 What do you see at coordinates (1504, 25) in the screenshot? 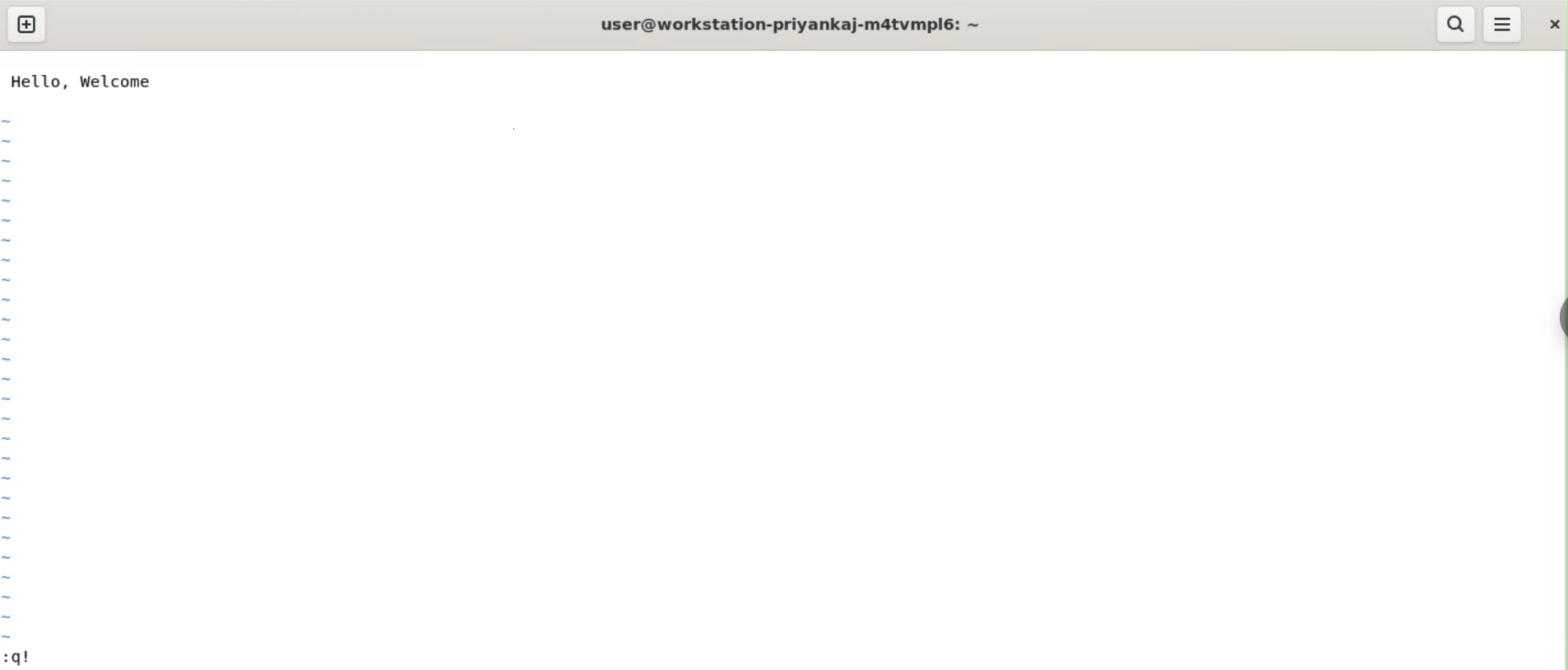
I see `menu` at bounding box center [1504, 25].